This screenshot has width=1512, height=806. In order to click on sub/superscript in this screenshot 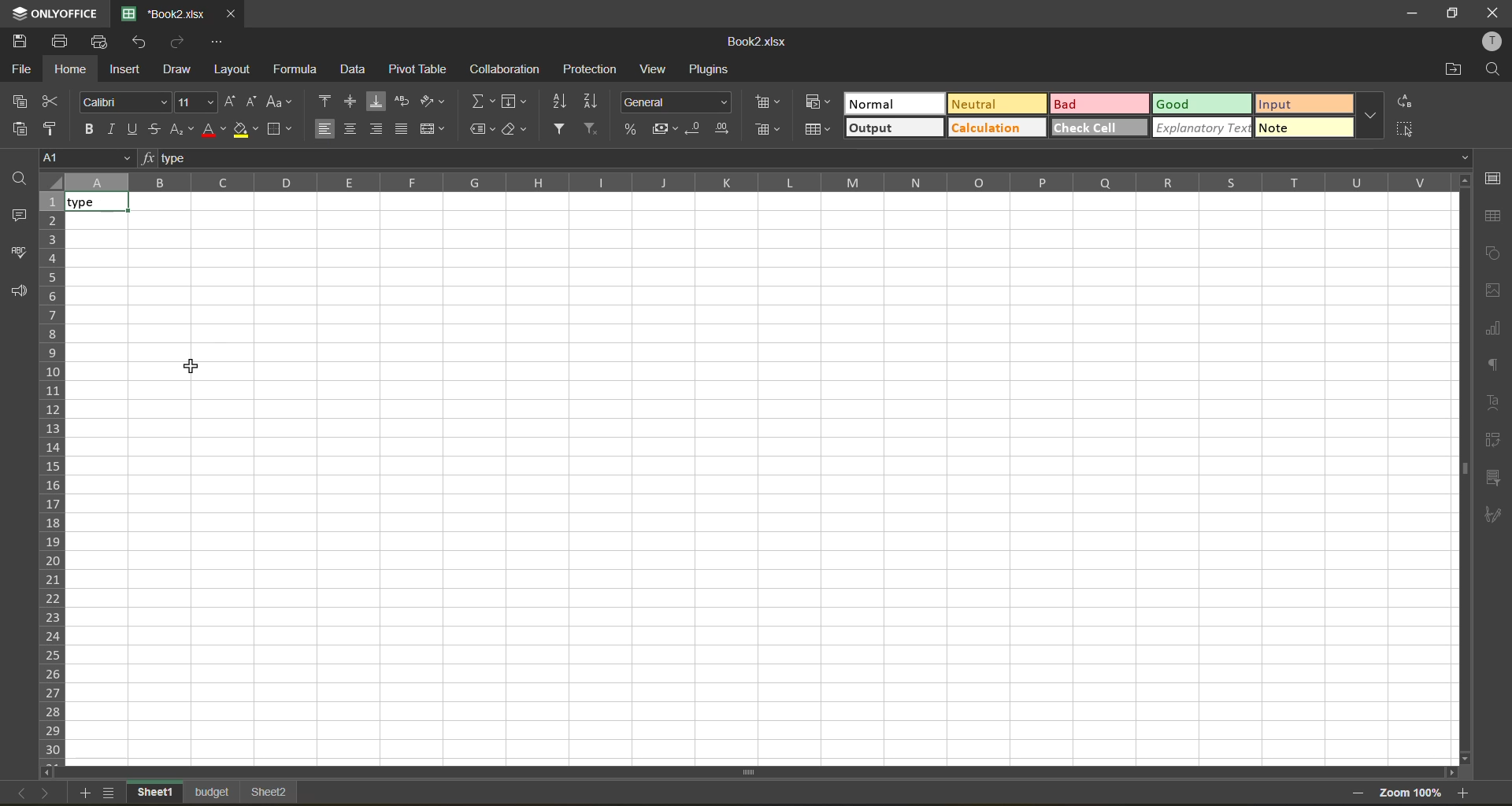, I will do `click(180, 129)`.